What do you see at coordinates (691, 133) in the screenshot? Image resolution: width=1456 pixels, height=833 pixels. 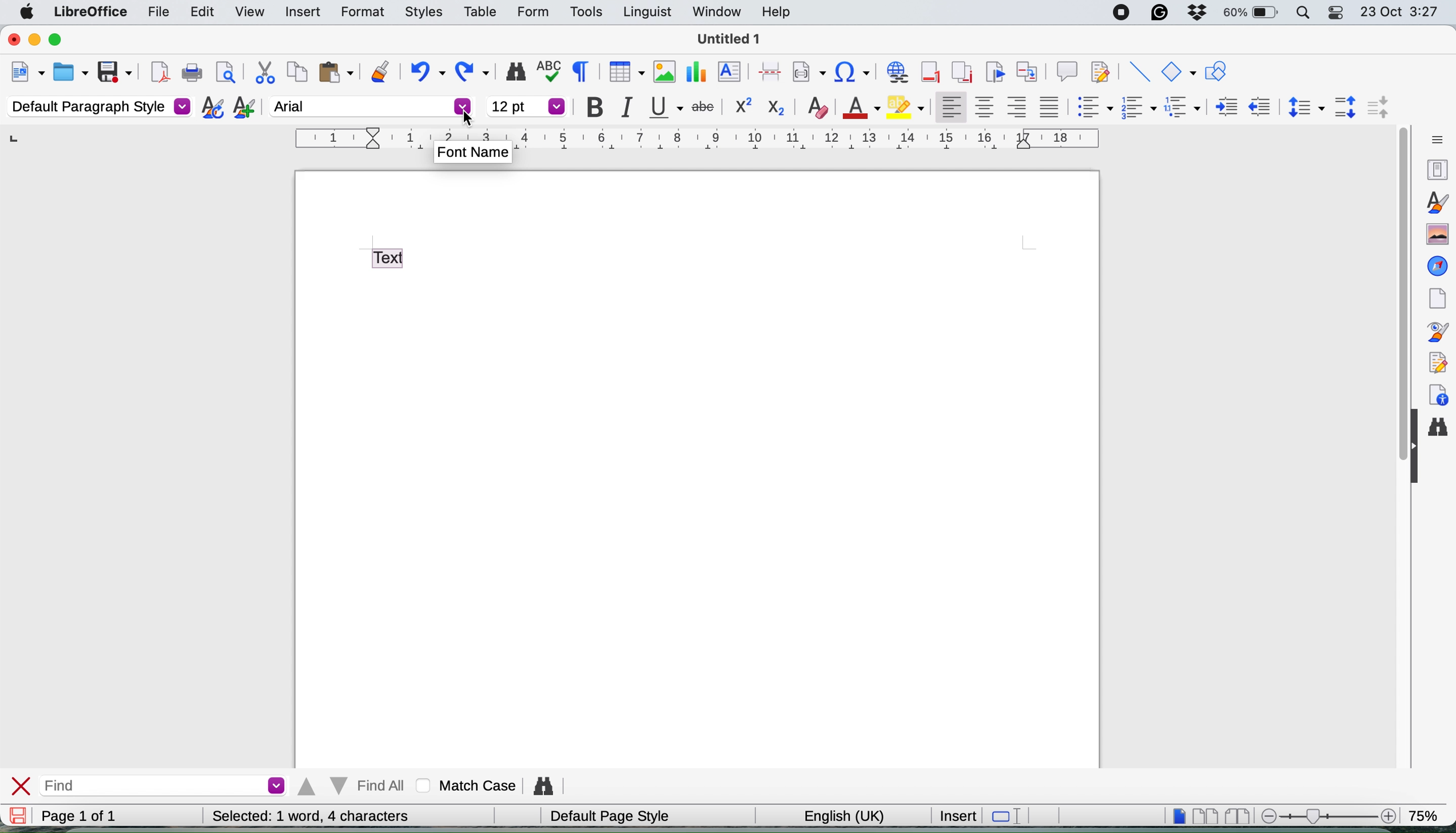 I see `style` at bounding box center [691, 133].